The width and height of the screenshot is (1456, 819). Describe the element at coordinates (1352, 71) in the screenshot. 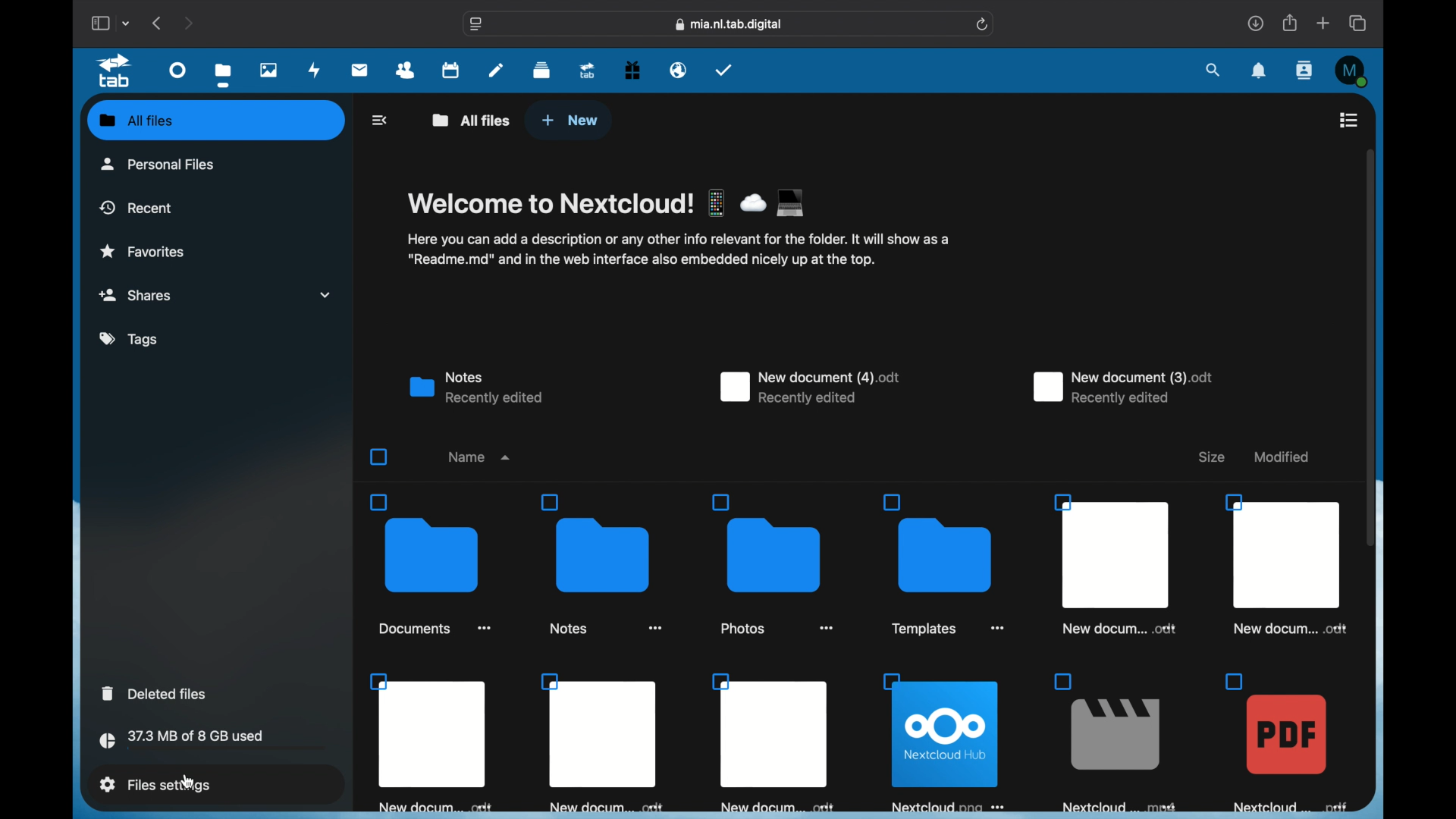

I see `M` at that location.